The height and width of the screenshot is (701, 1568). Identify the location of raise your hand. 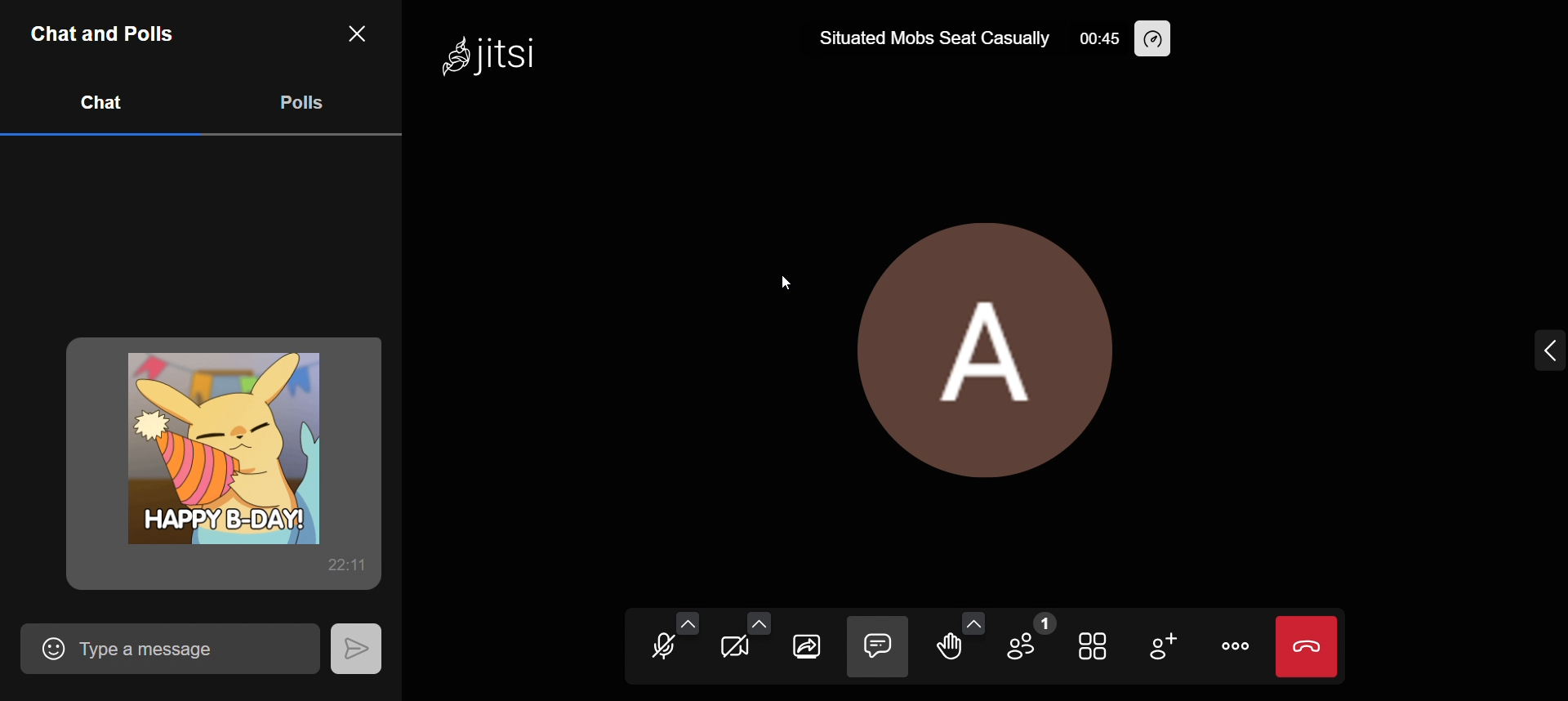
(950, 654).